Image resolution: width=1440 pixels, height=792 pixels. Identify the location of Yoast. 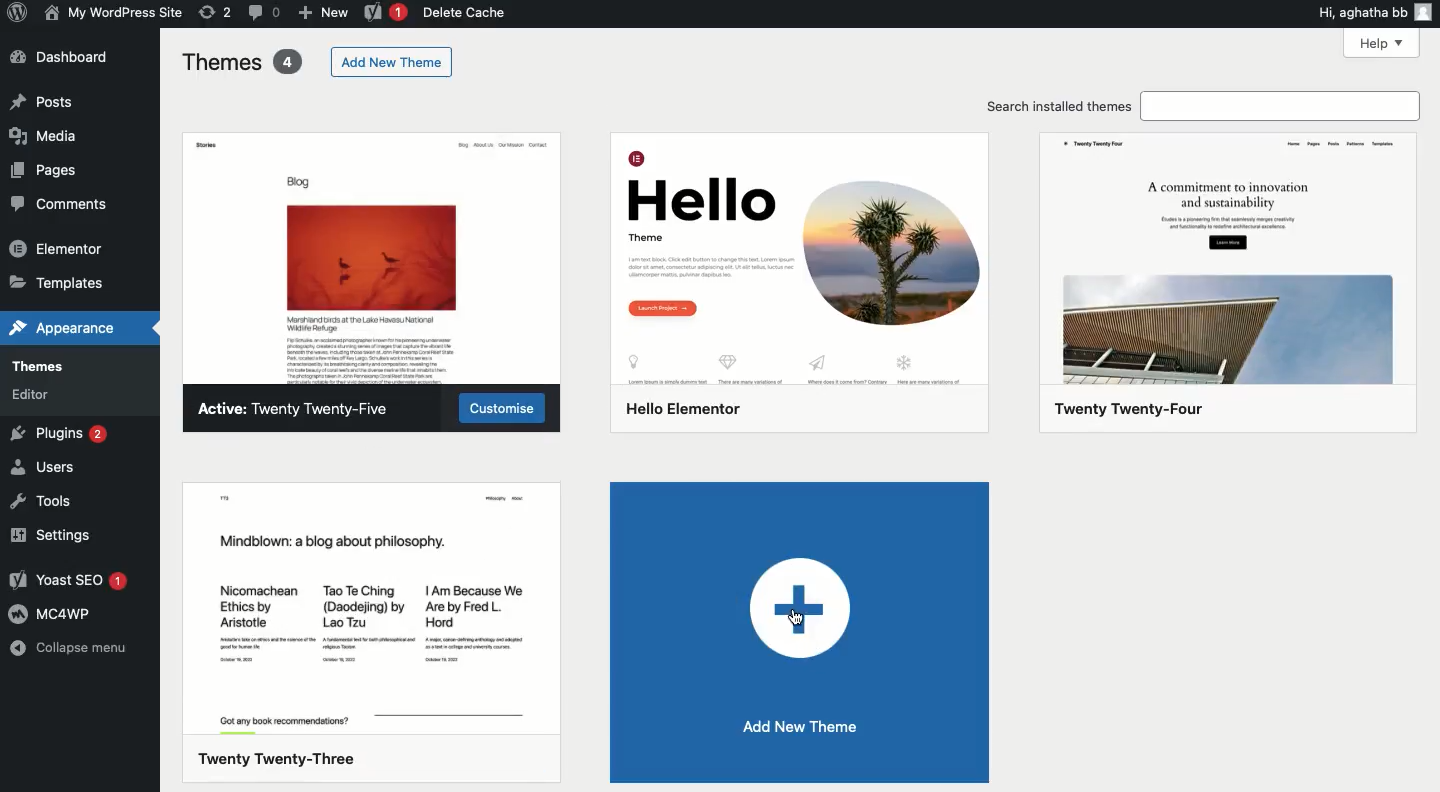
(66, 580).